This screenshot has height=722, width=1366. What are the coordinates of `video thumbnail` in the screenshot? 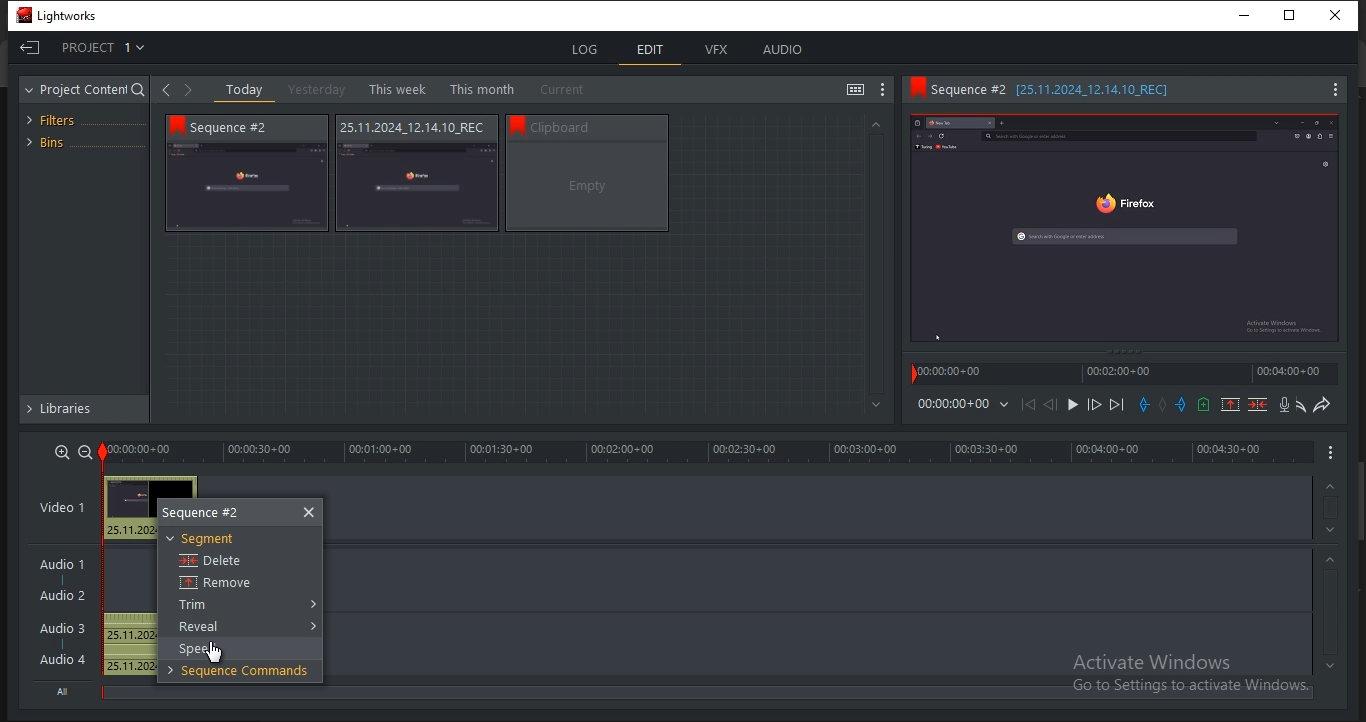 It's located at (587, 186).